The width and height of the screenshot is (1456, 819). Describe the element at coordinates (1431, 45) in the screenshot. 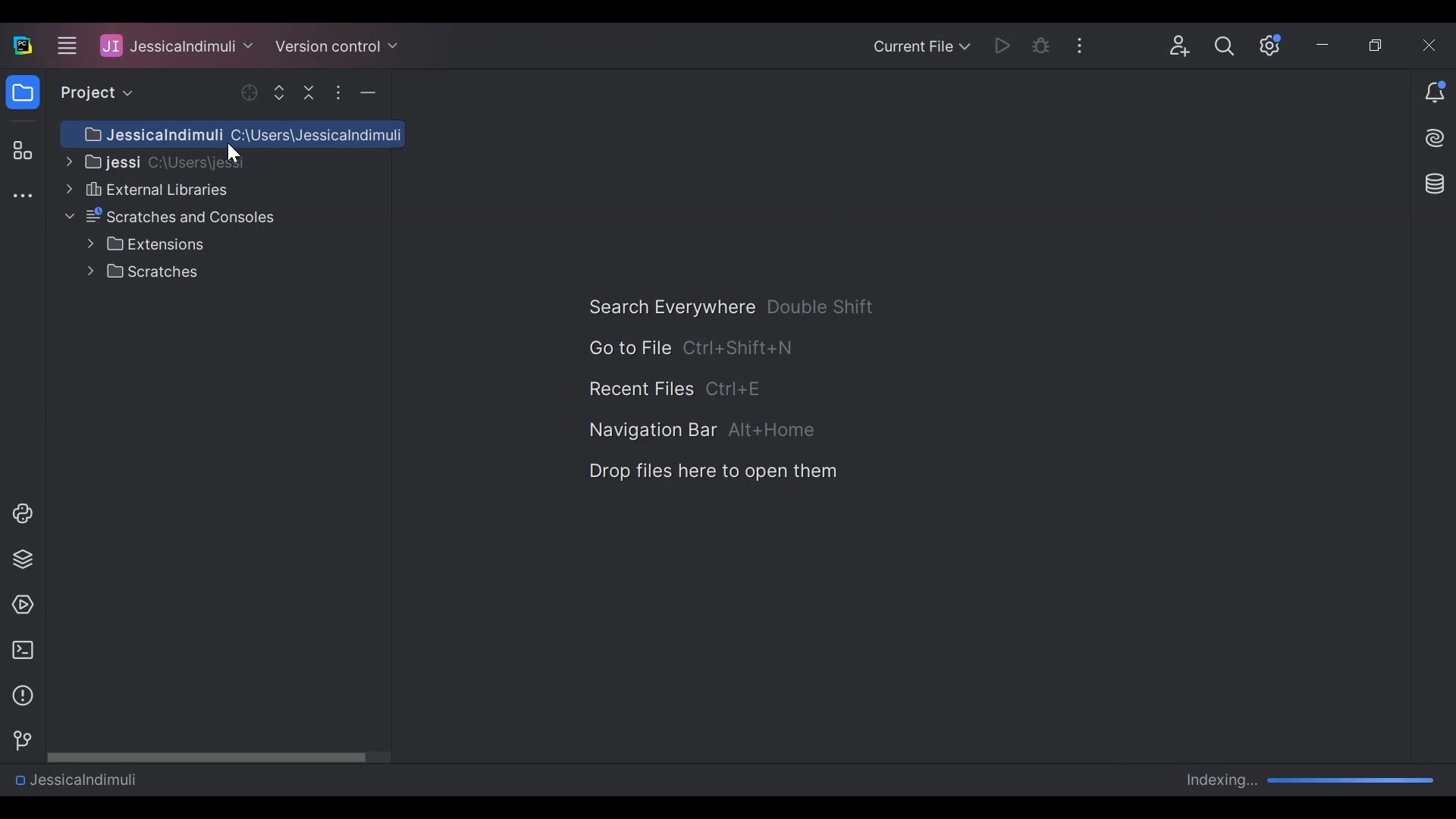

I see `Close` at that location.